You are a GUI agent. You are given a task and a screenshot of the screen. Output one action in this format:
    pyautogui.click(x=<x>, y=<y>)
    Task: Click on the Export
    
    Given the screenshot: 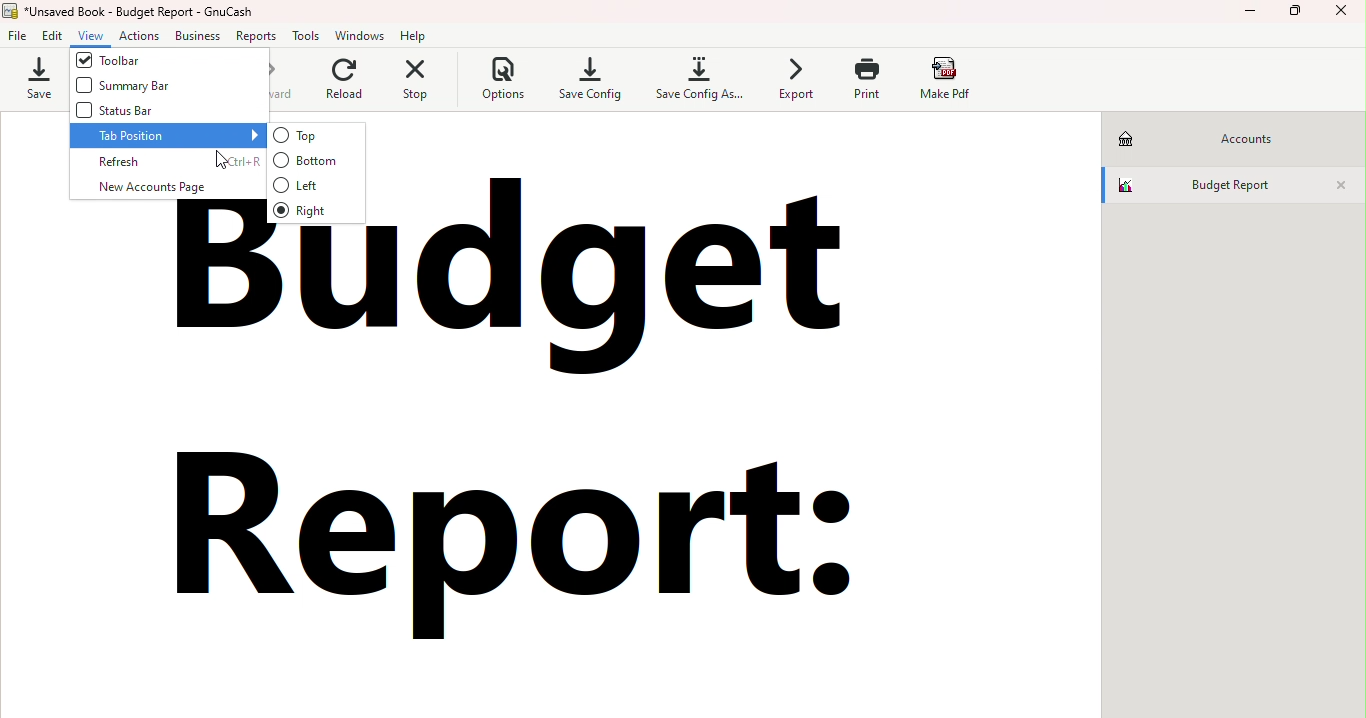 What is the action you would take?
    pyautogui.click(x=790, y=78)
    